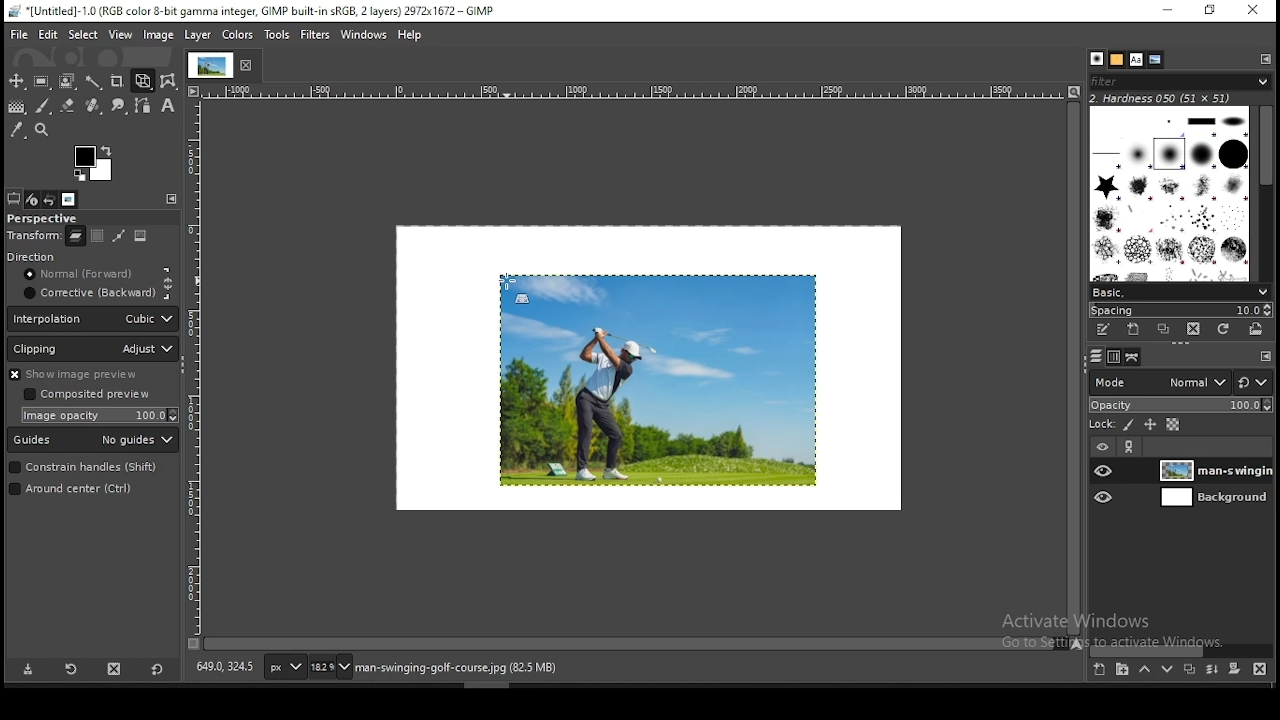 Image resolution: width=1280 pixels, height=720 pixels. Describe the element at coordinates (33, 200) in the screenshot. I see `device status` at that location.